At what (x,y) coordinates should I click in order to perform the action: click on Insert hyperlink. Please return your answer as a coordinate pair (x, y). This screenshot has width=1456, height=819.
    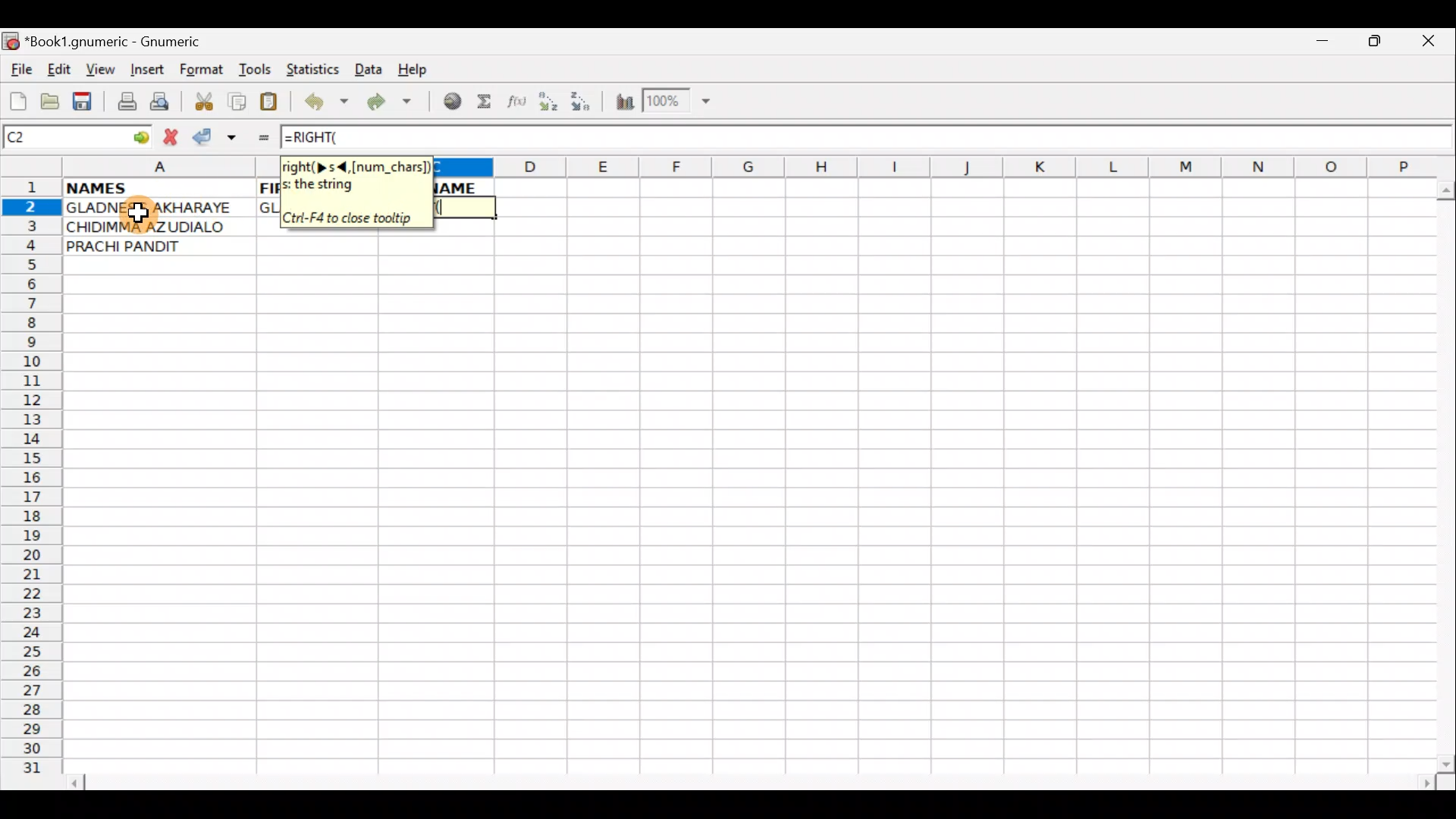
    Looking at the image, I should click on (450, 102).